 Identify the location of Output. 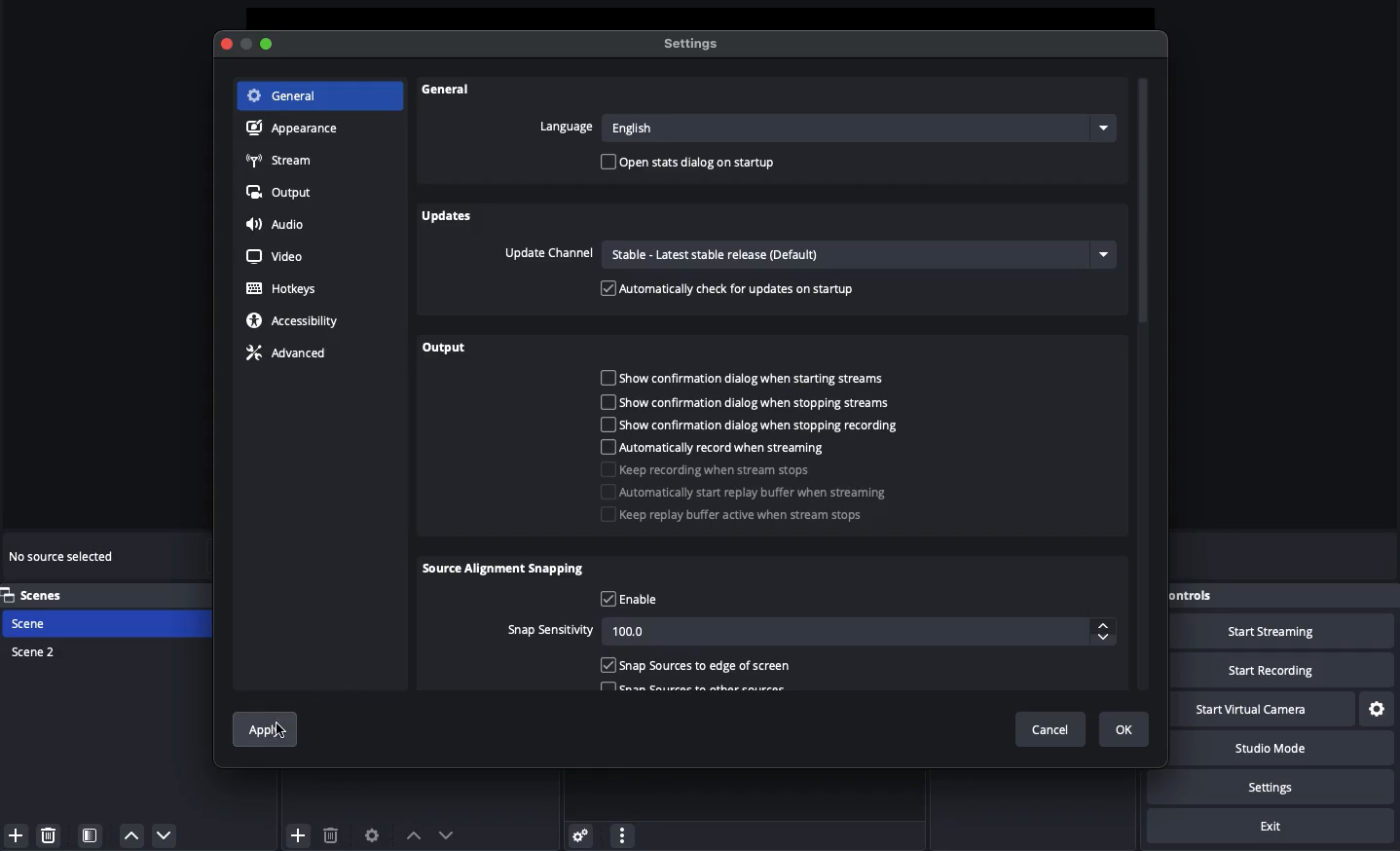
(446, 349).